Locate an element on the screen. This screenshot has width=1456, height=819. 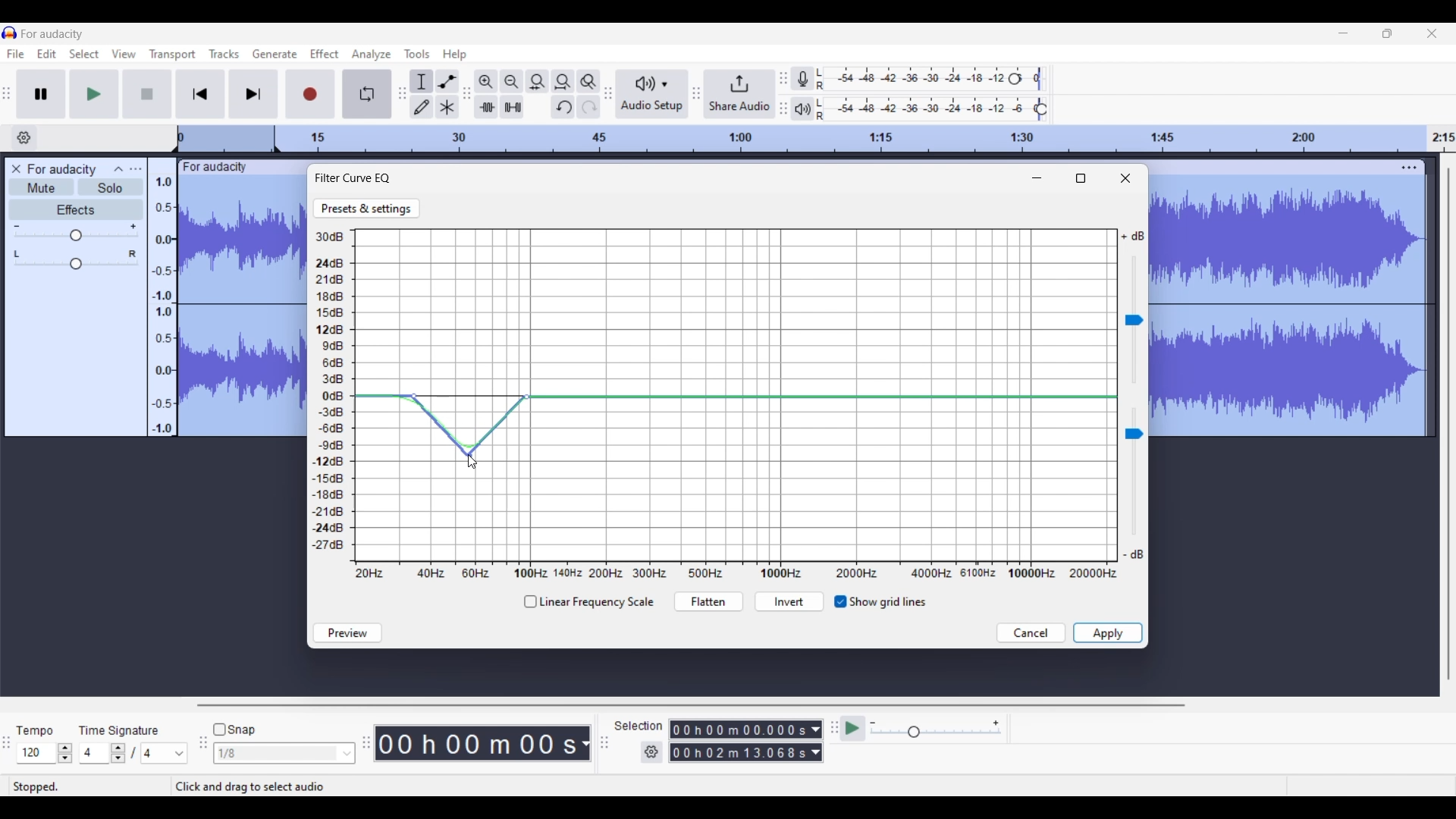
Mute is located at coordinates (41, 187).